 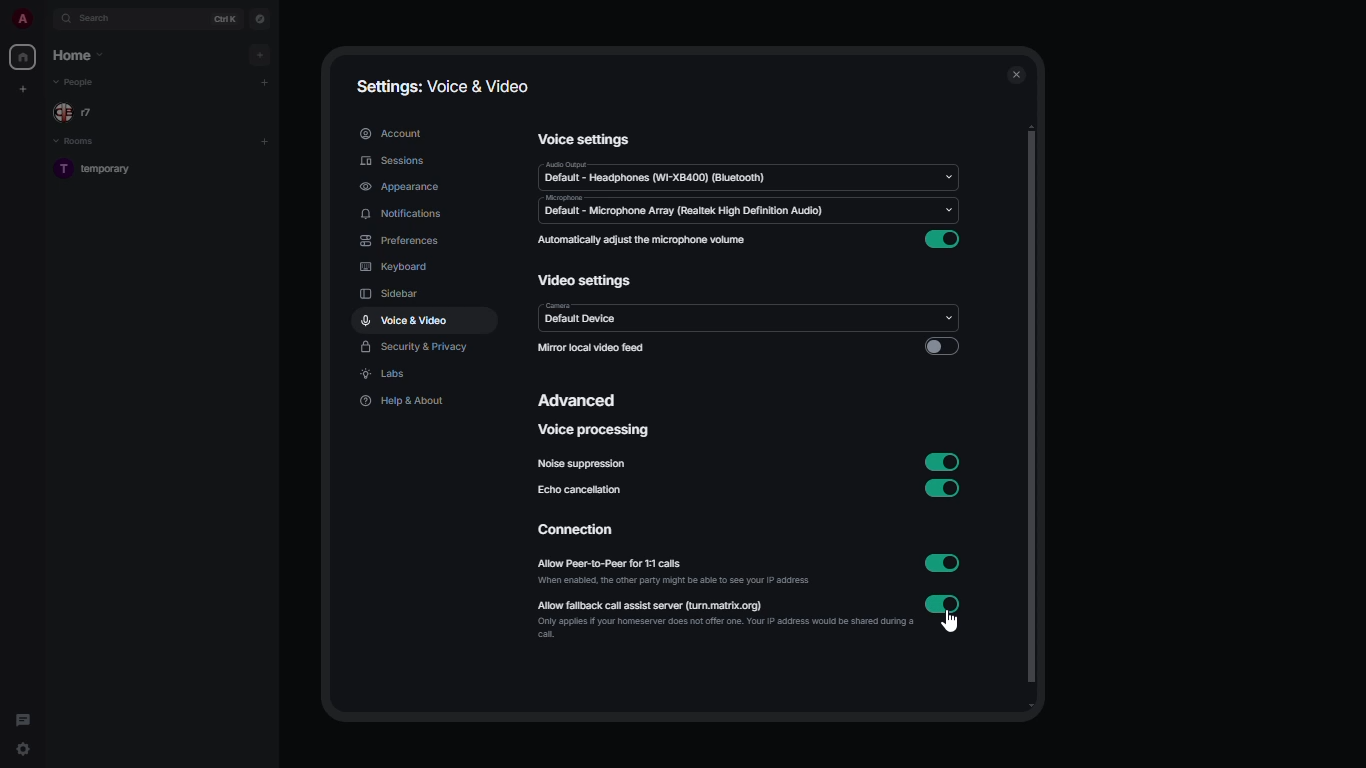 What do you see at coordinates (22, 19) in the screenshot?
I see `profile` at bounding box center [22, 19].